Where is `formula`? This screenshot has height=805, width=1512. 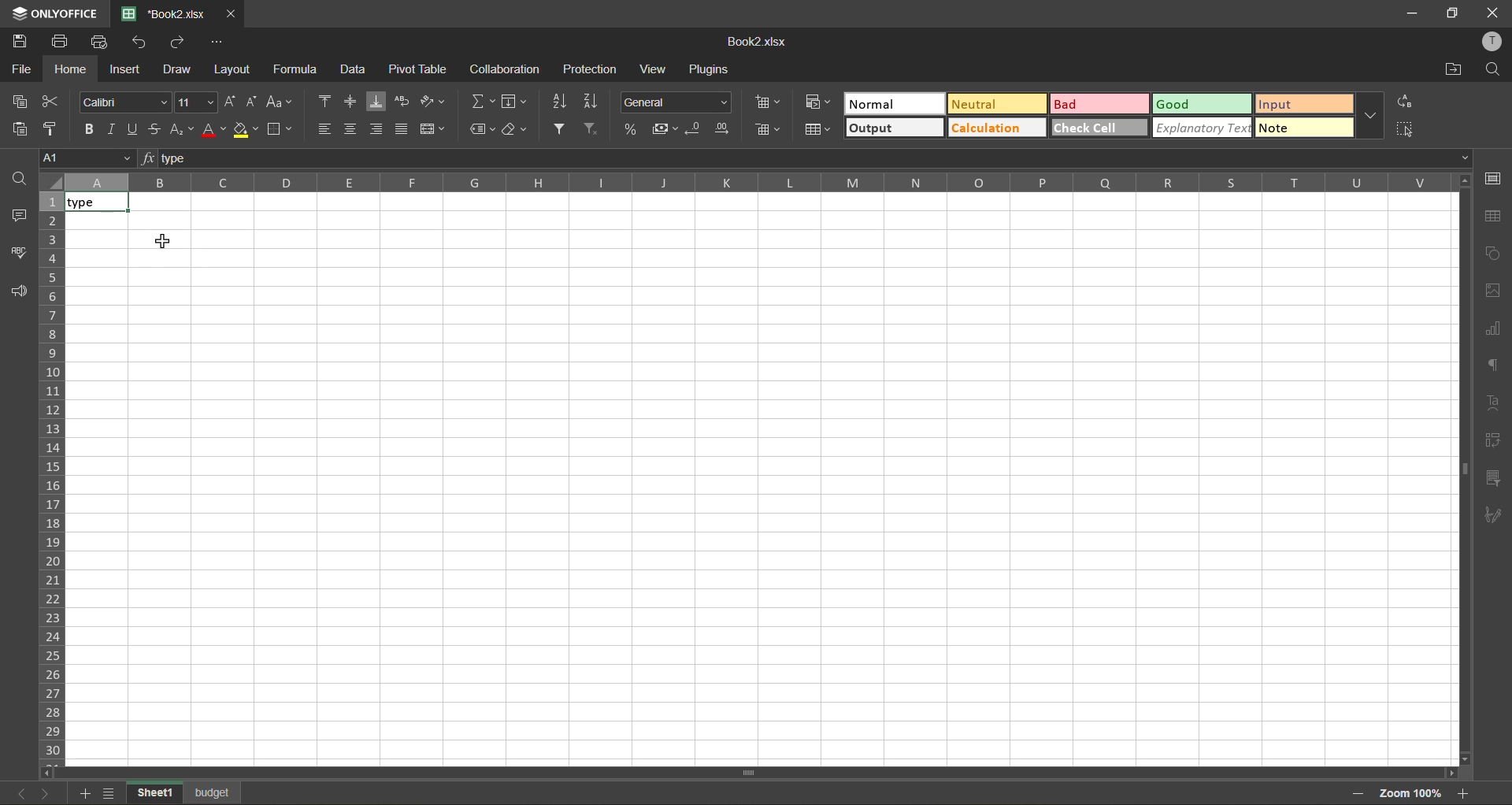 formula is located at coordinates (294, 69).